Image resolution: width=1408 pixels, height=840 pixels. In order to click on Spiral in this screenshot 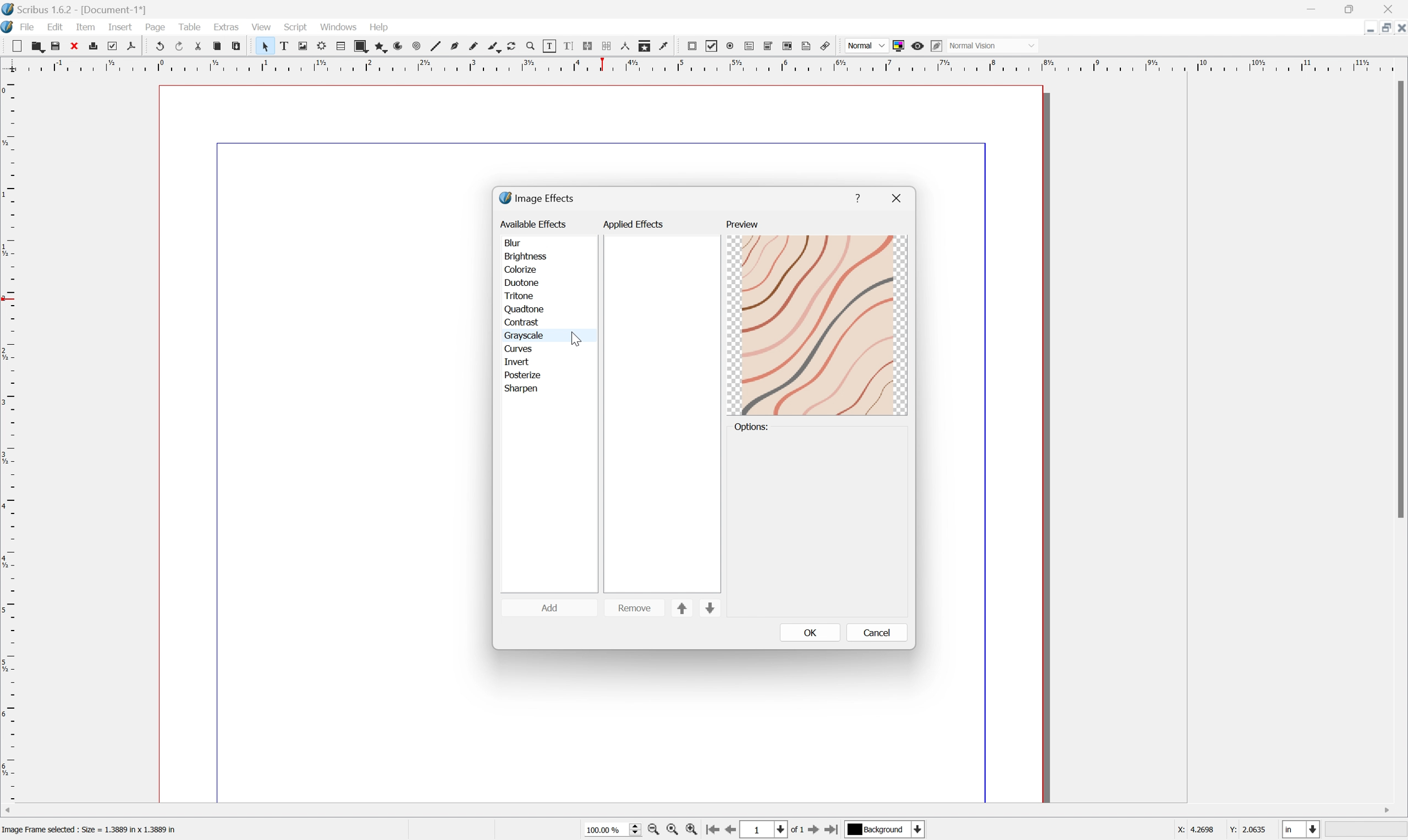, I will do `click(421, 47)`.